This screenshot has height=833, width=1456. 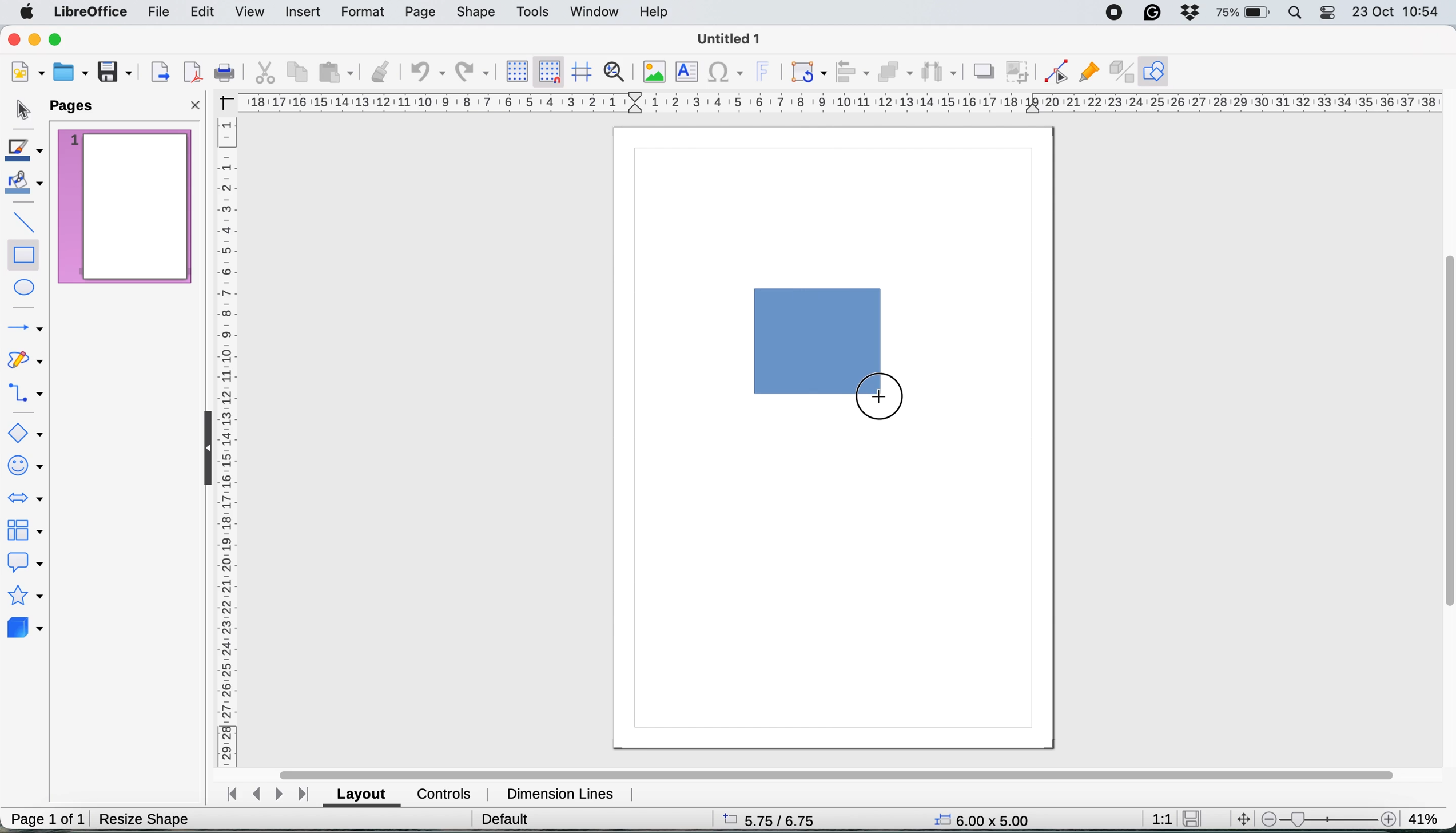 I want to click on flowchart, so click(x=25, y=530).